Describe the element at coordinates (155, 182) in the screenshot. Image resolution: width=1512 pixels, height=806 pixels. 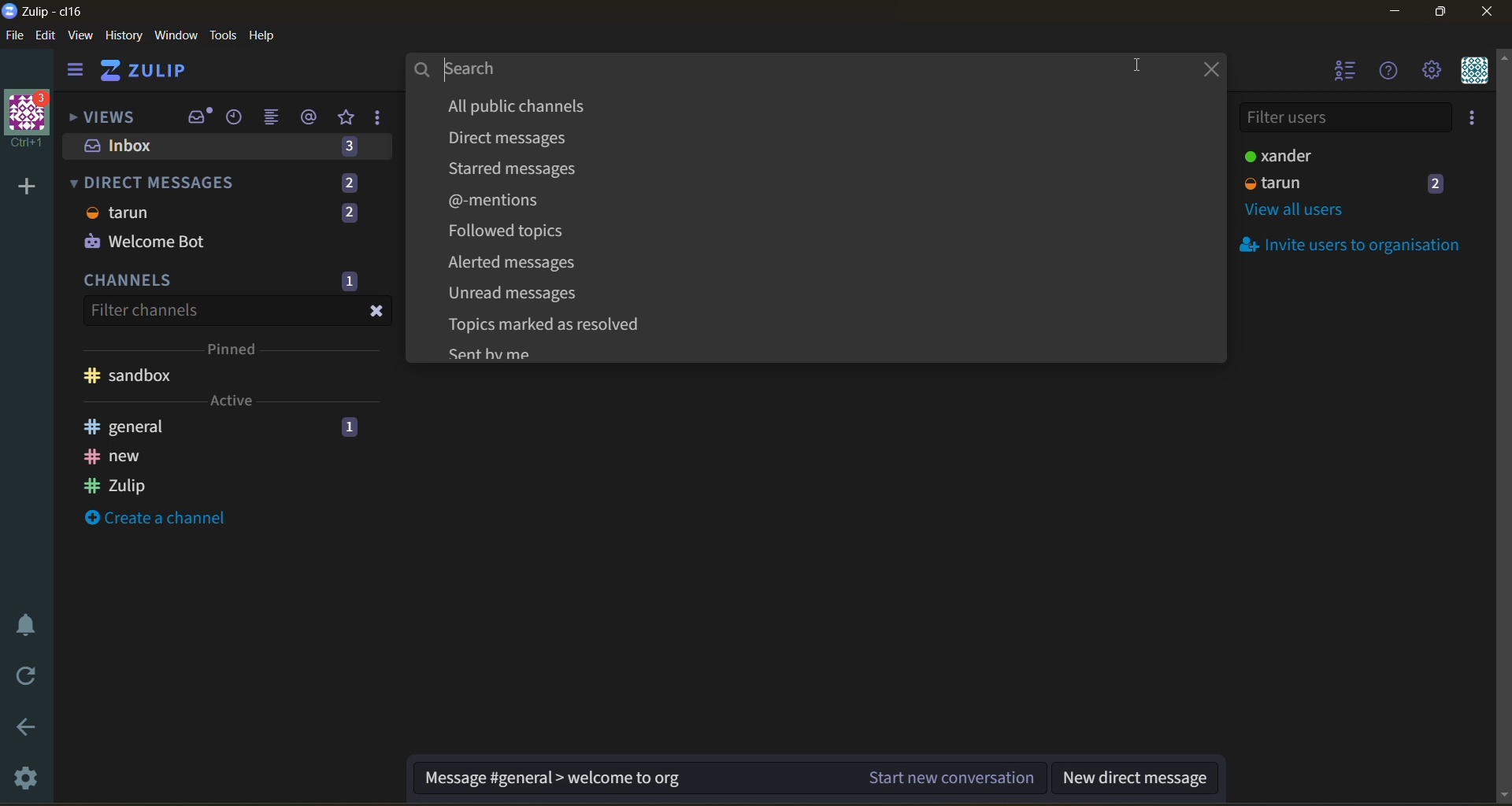
I see `DIRECT MESSAGES` at that location.